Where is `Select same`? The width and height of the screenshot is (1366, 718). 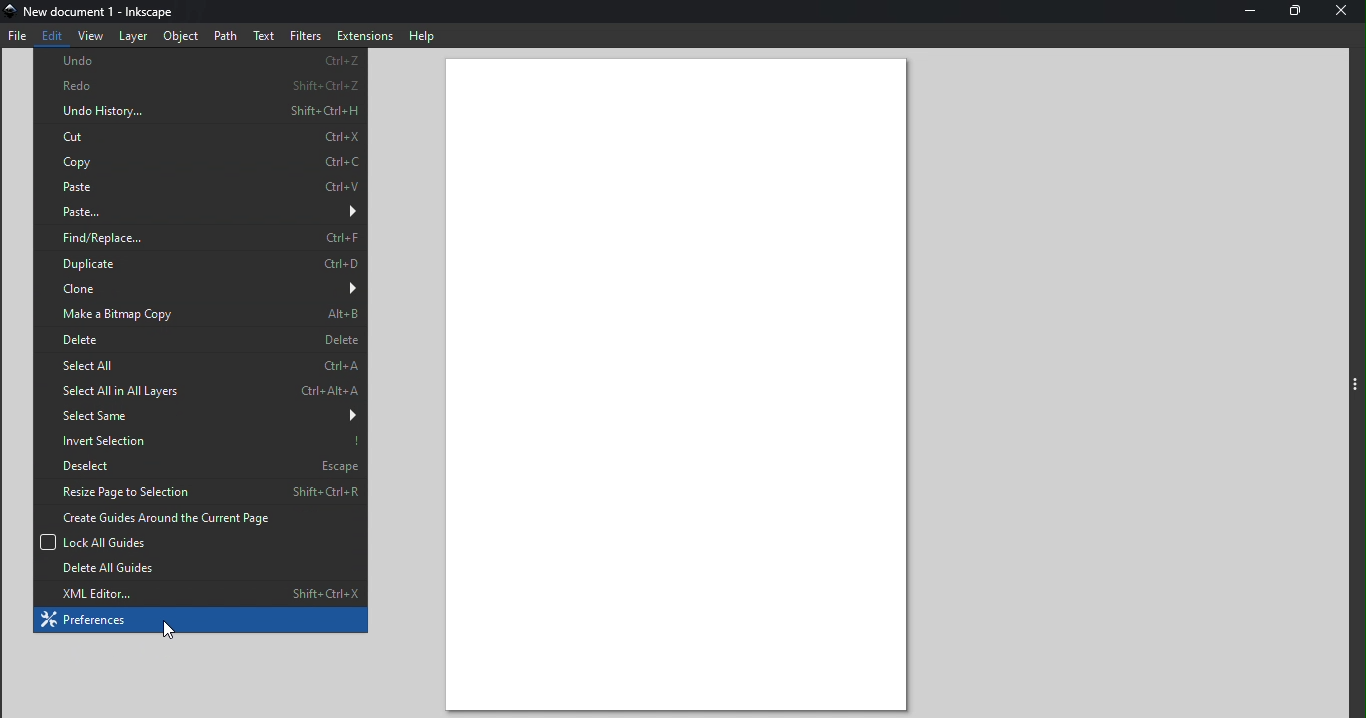
Select same is located at coordinates (201, 415).